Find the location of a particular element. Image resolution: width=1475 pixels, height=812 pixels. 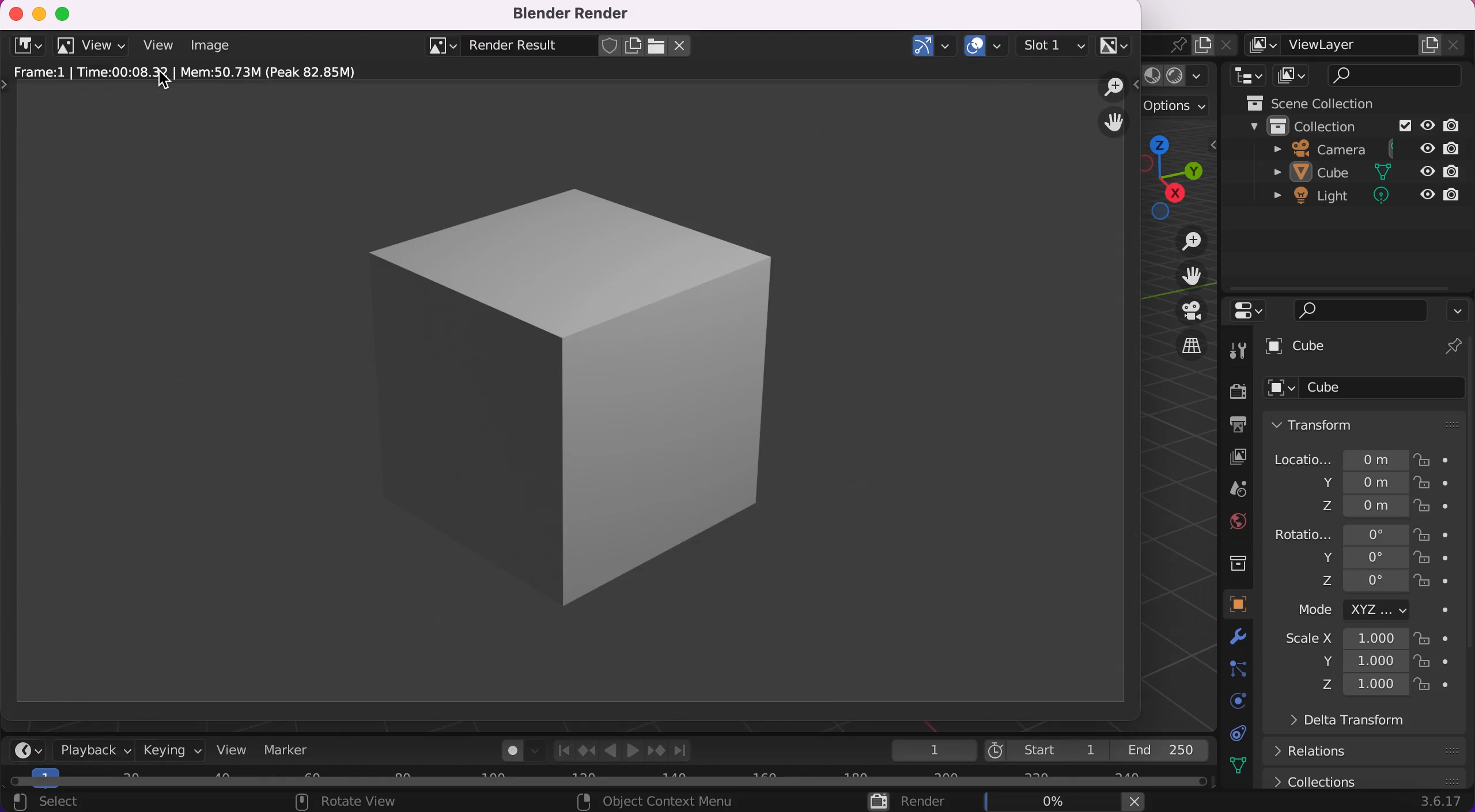

editor type is located at coordinates (1246, 77).